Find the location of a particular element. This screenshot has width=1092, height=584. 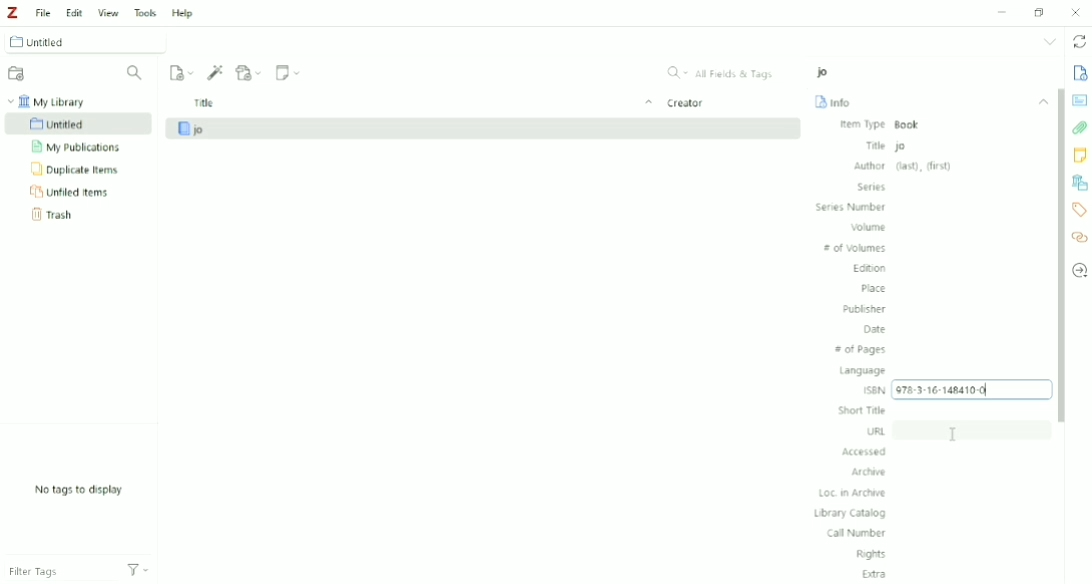

Rights is located at coordinates (870, 555).